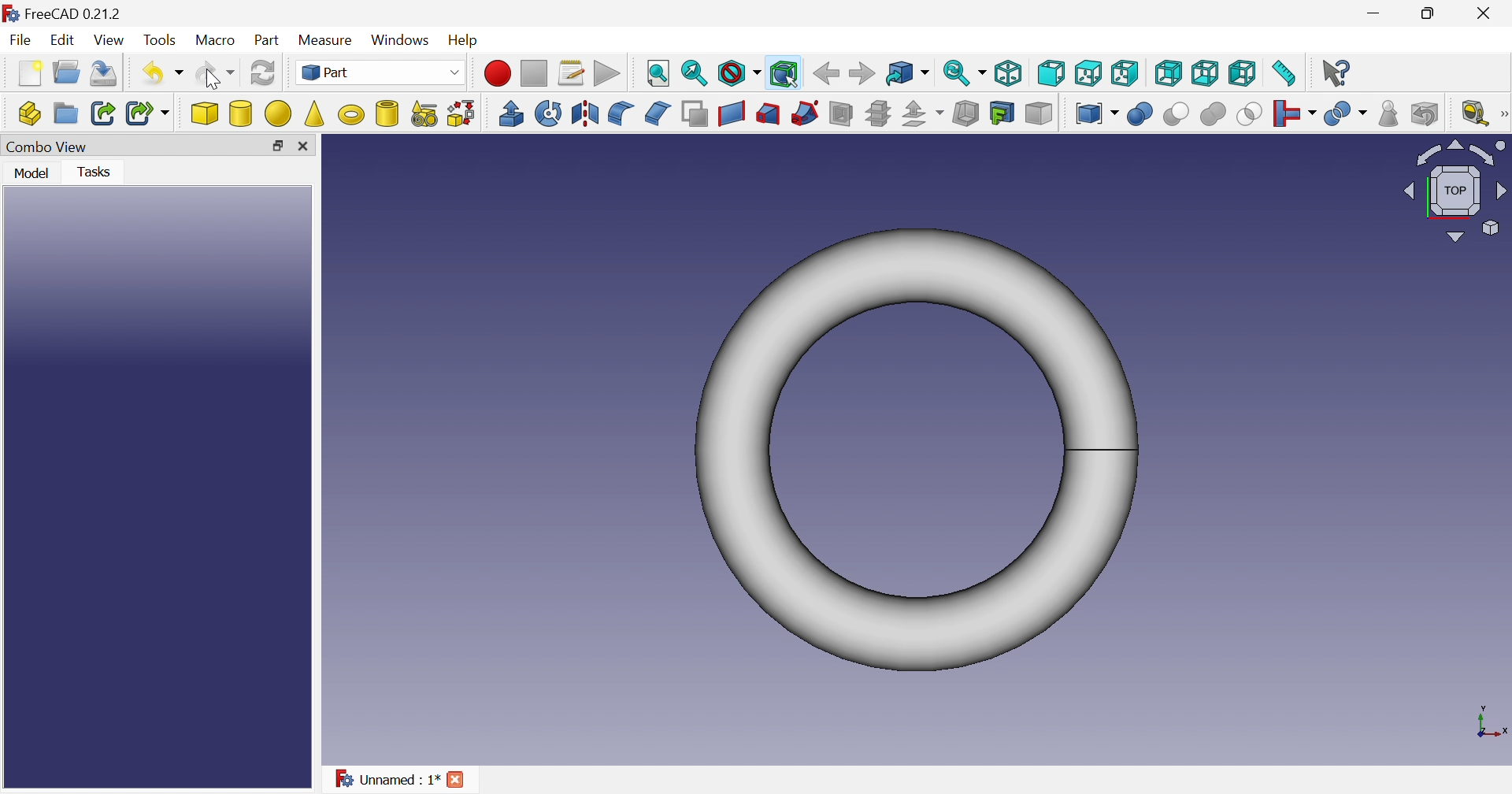  Describe the element at coordinates (876, 113) in the screenshot. I see `Cross-sections` at that location.